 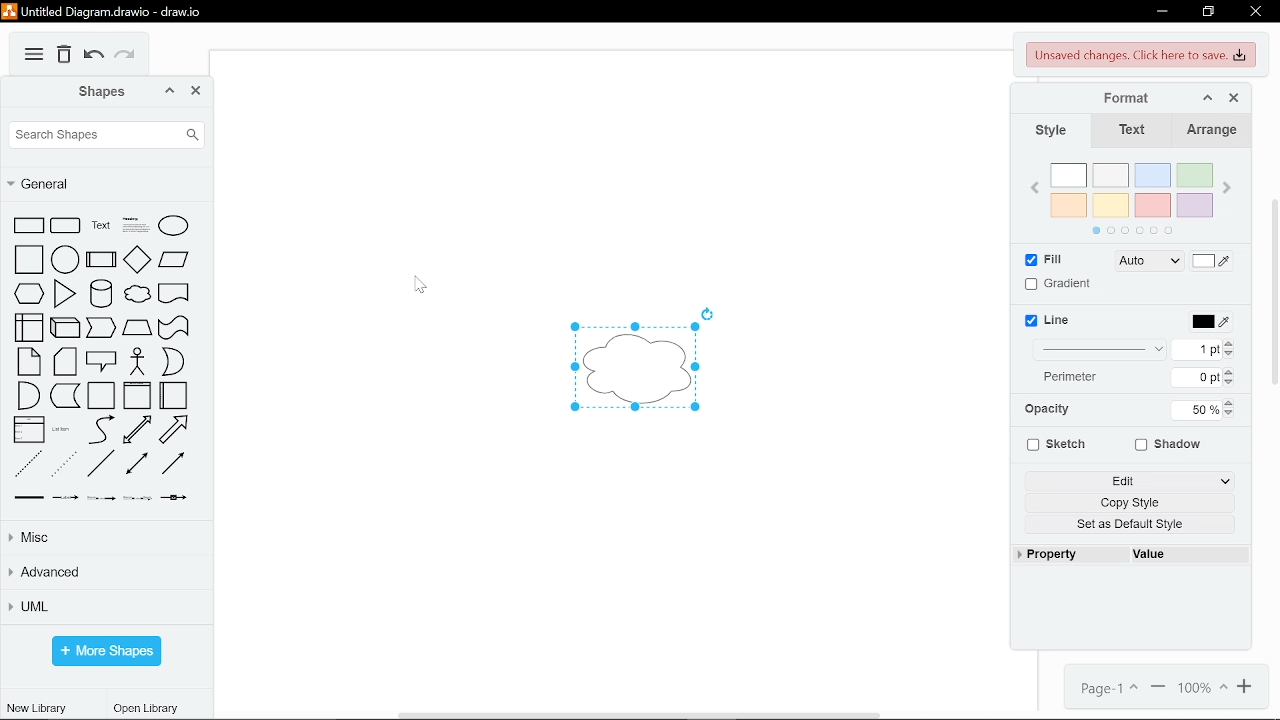 What do you see at coordinates (1130, 481) in the screenshot?
I see `edit` at bounding box center [1130, 481].